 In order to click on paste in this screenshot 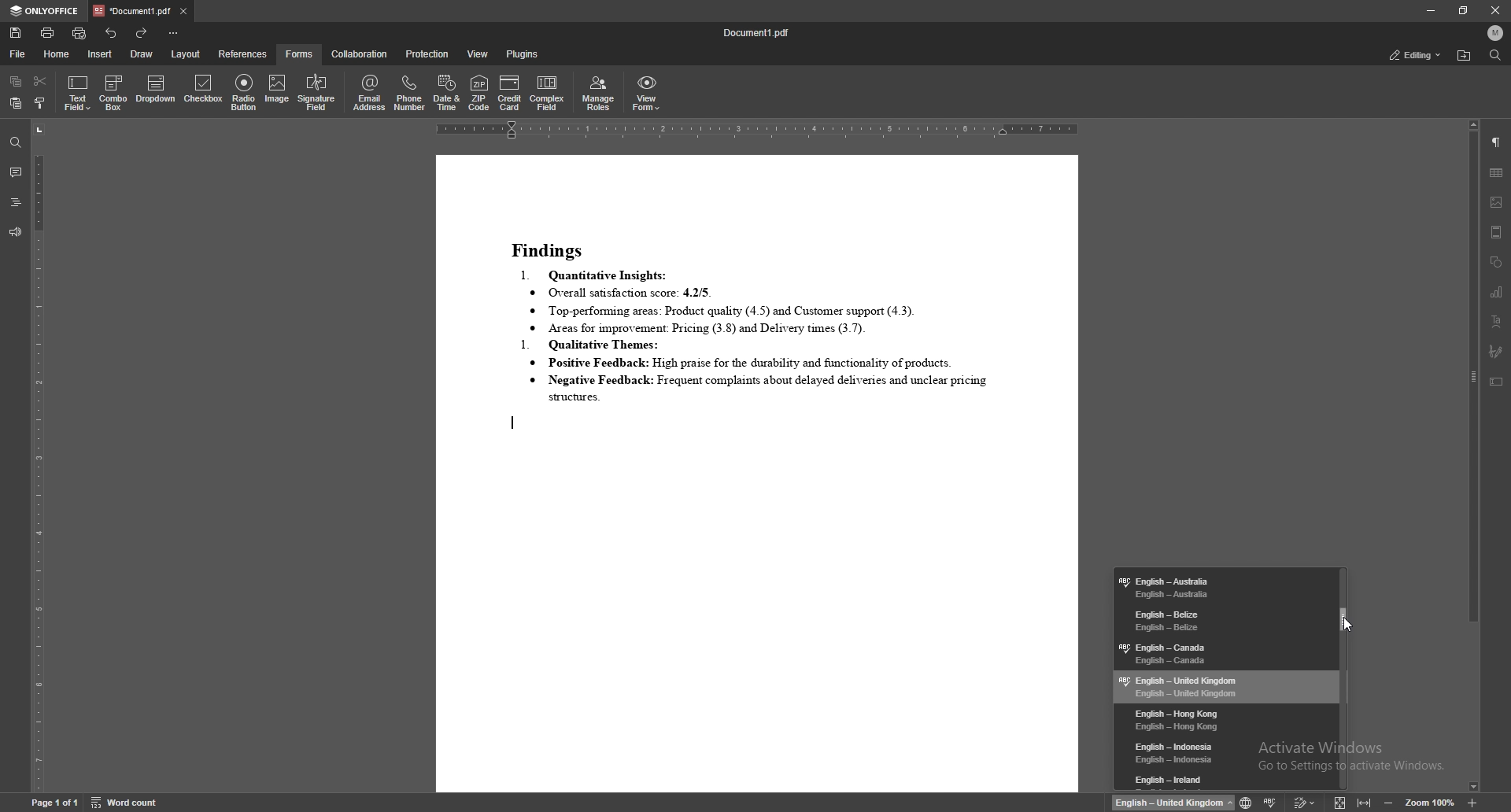, I will do `click(16, 103)`.